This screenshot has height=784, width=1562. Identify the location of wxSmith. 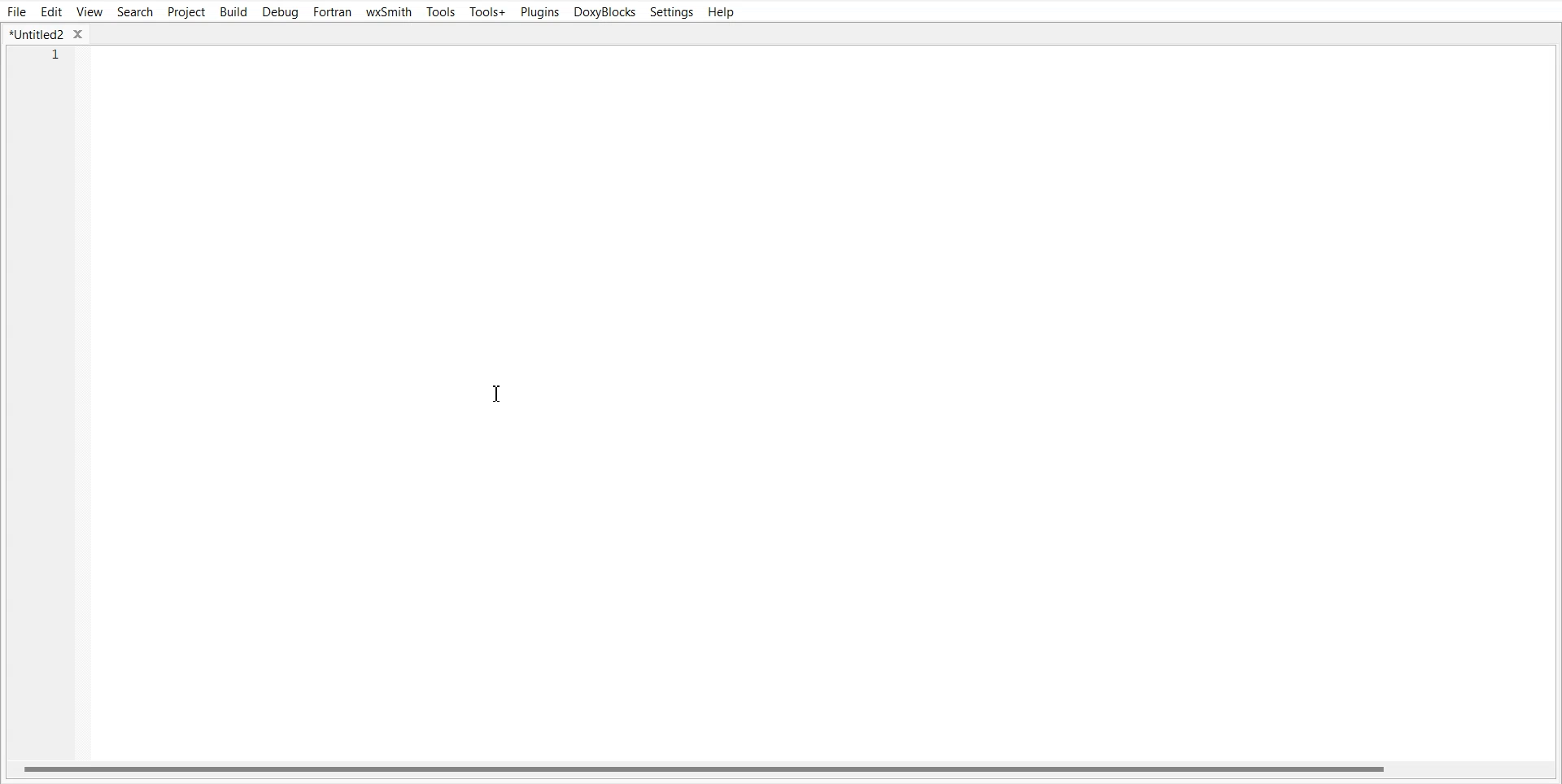
(390, 11).